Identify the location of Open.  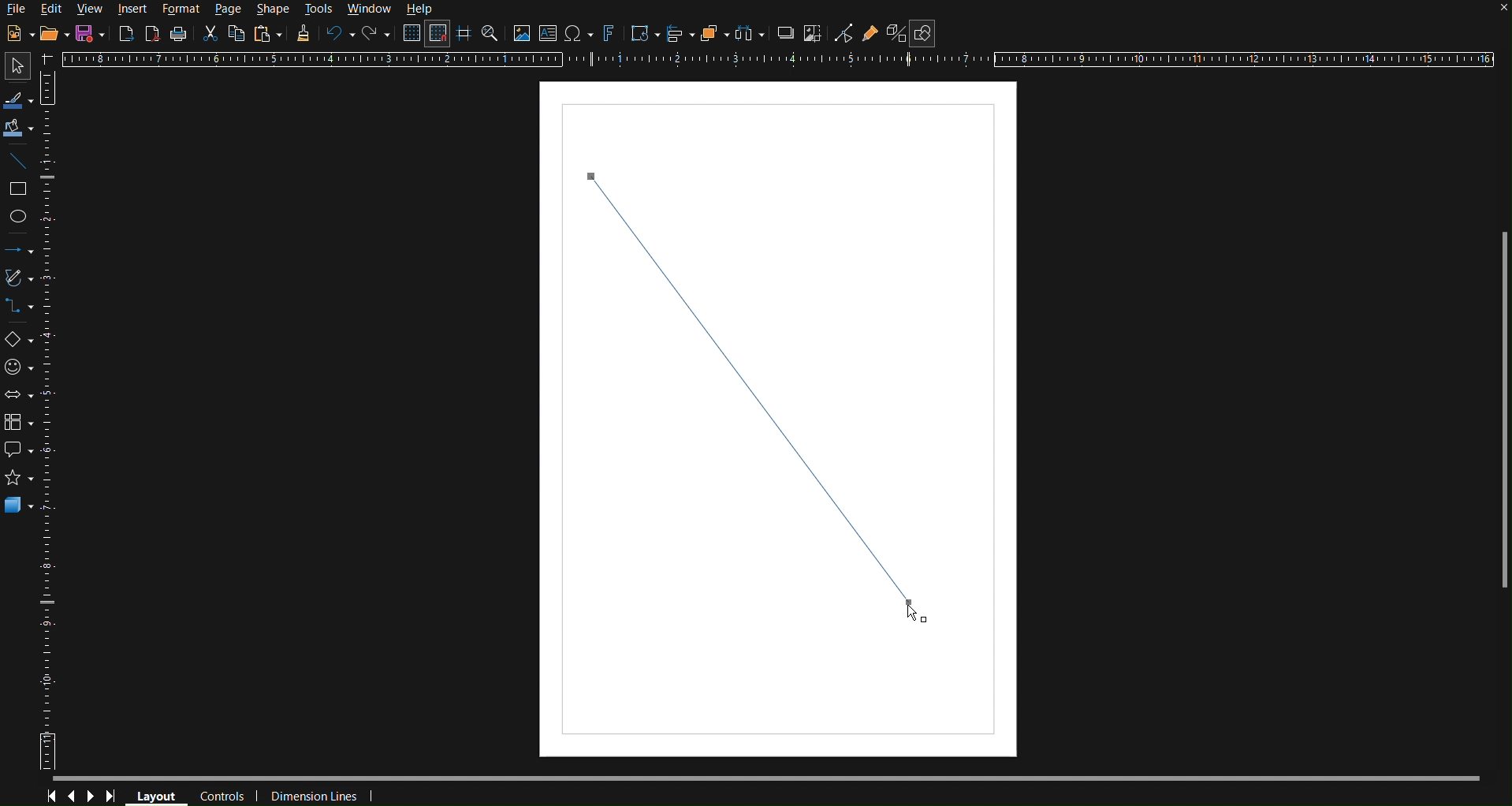
(50, 34).